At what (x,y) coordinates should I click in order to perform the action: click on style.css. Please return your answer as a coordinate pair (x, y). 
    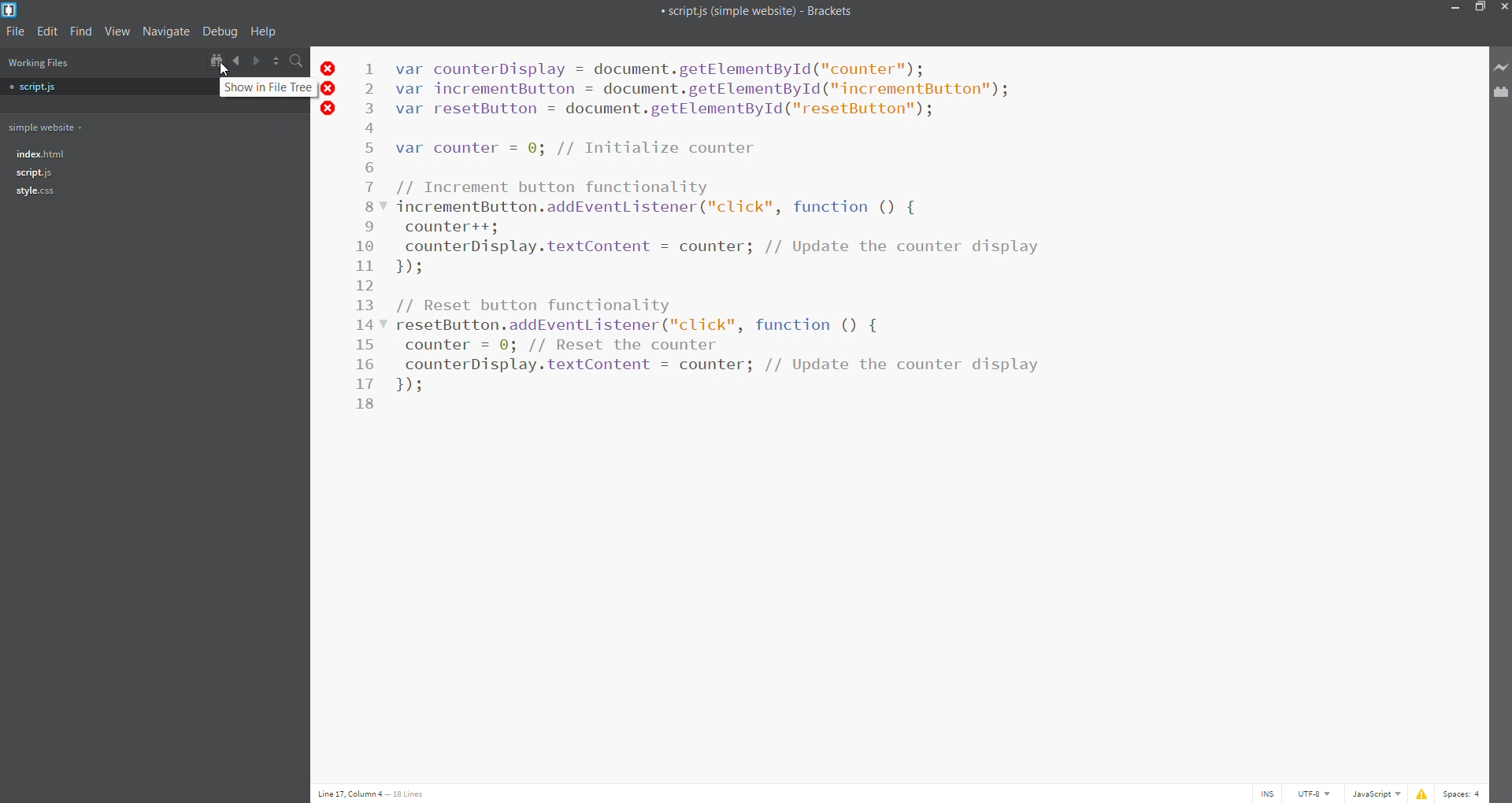
    Looking at the image, I should click on (35, 191).